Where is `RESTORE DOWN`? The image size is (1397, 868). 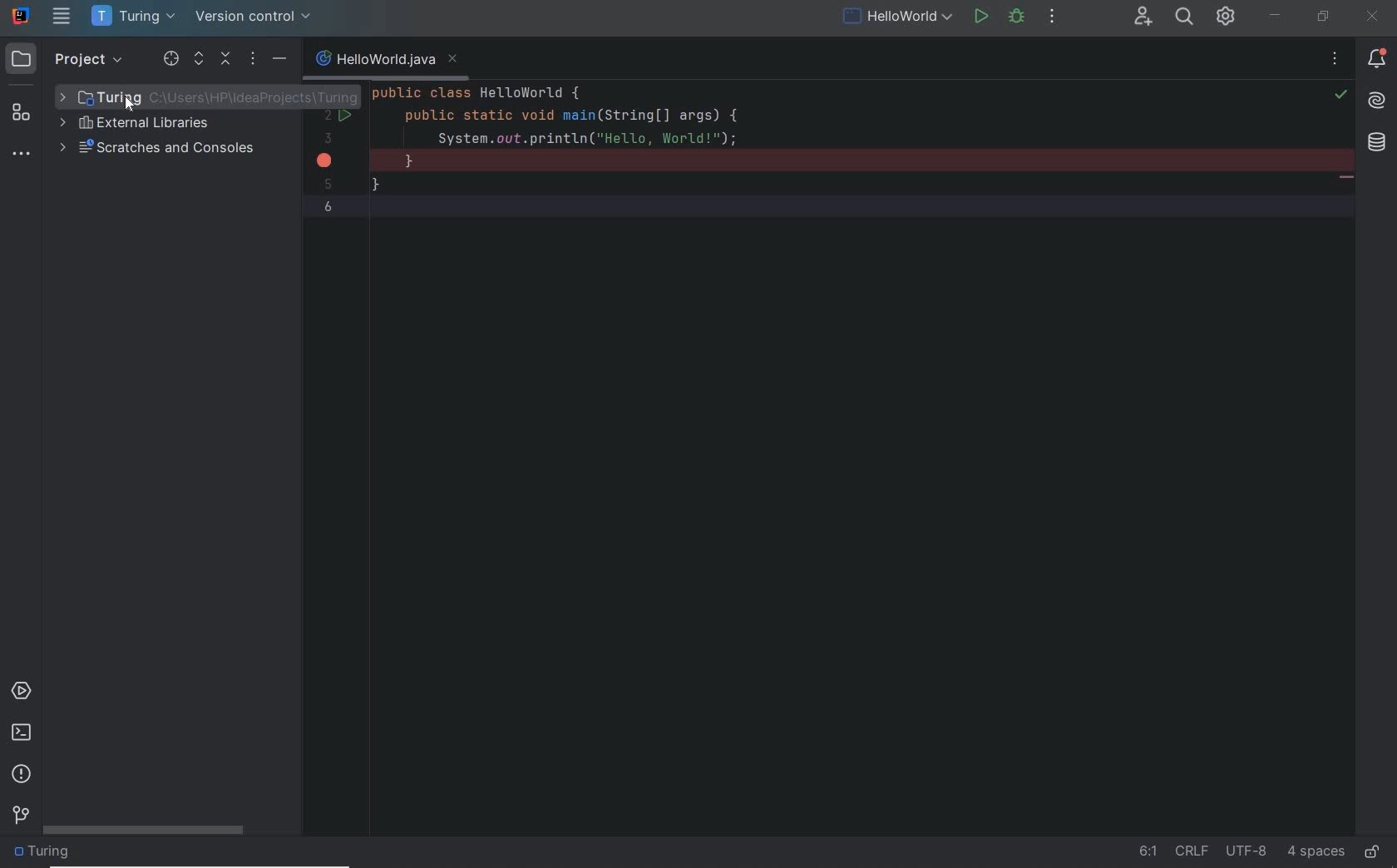
RESTORE DOWN is located at coordinates (1321, 18).